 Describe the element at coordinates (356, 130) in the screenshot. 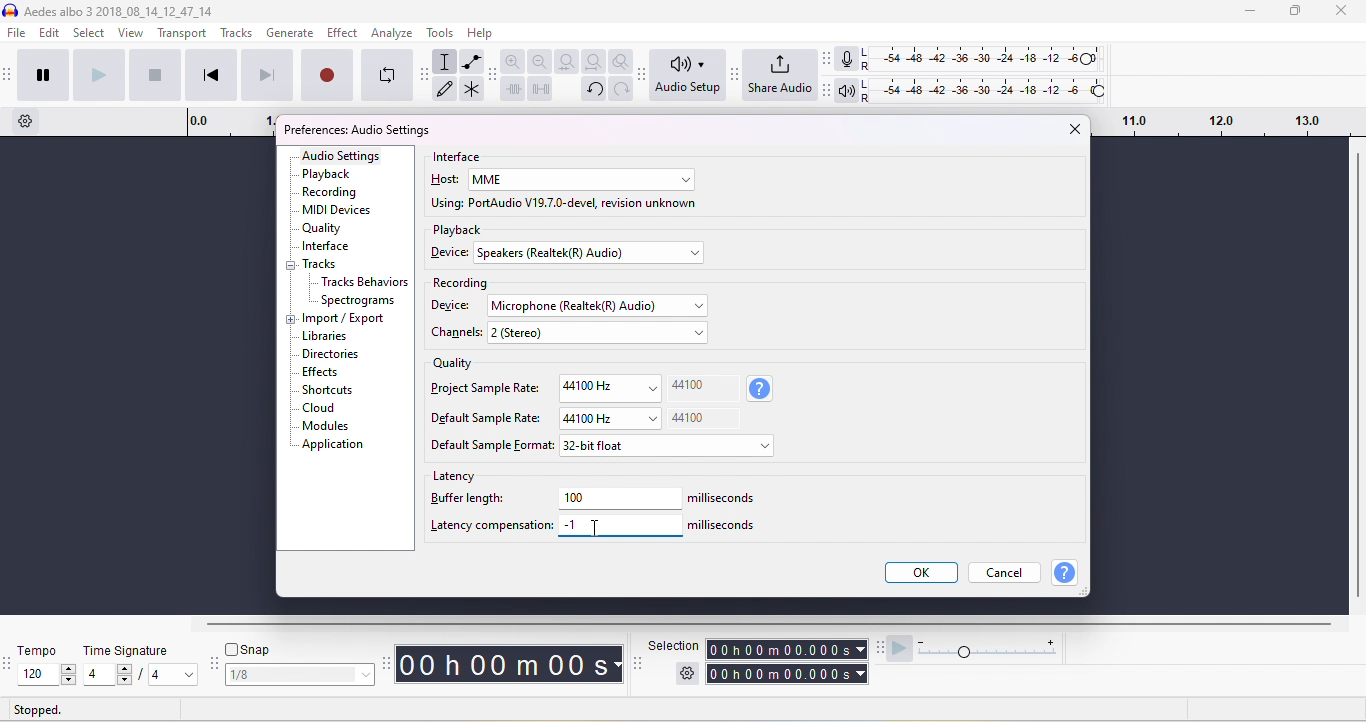

I see `preferences audio settings` at that location.